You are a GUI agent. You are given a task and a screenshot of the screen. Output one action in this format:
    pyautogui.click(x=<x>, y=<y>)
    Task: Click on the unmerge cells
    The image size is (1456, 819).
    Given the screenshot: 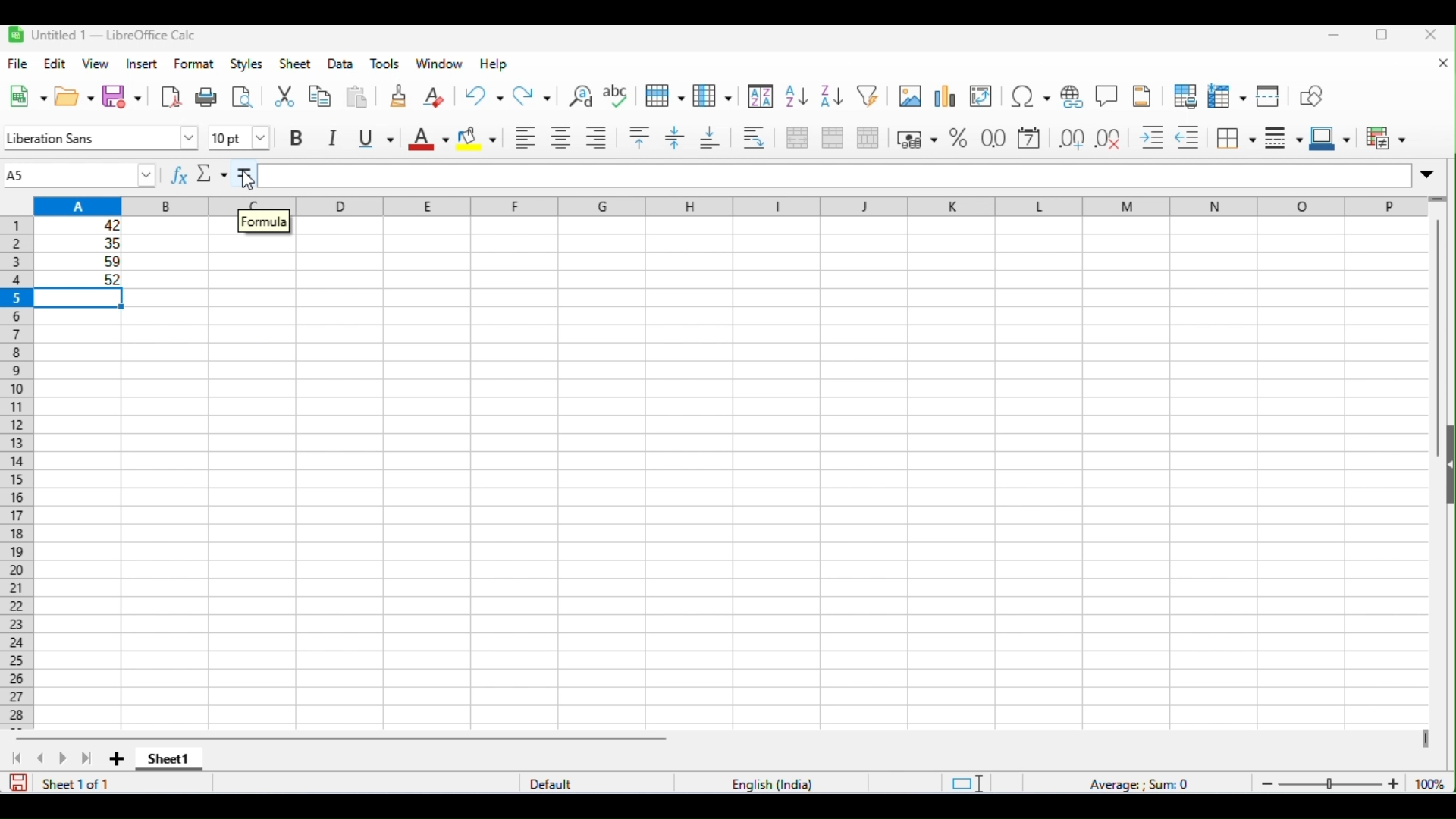 What is the action you would take?
    pyautogui.click(x=868, y=137)
    